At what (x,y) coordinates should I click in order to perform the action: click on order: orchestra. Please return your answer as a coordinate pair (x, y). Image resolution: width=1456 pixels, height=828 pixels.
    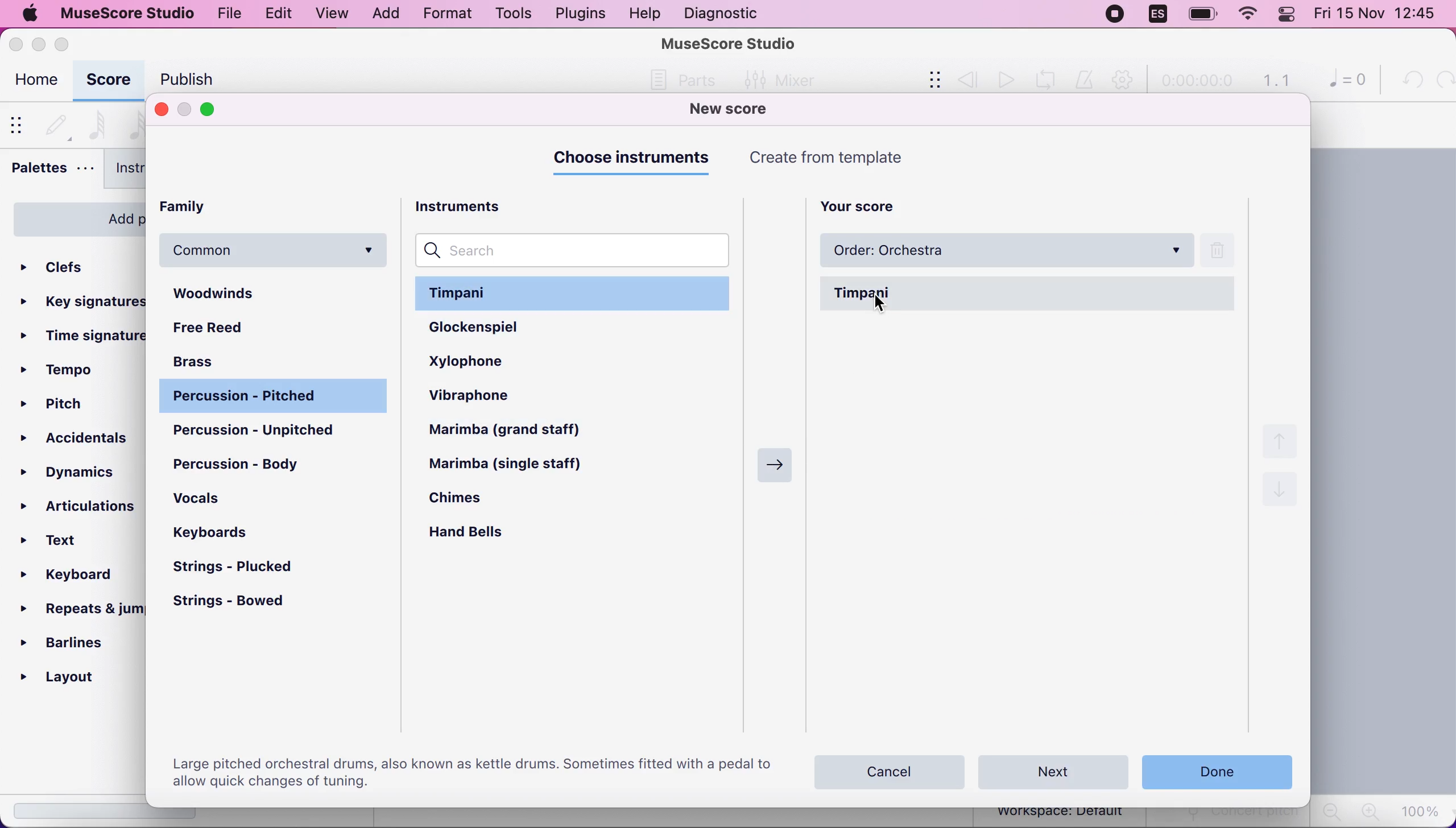
    Looking at the image, I should click on (1004, 251).